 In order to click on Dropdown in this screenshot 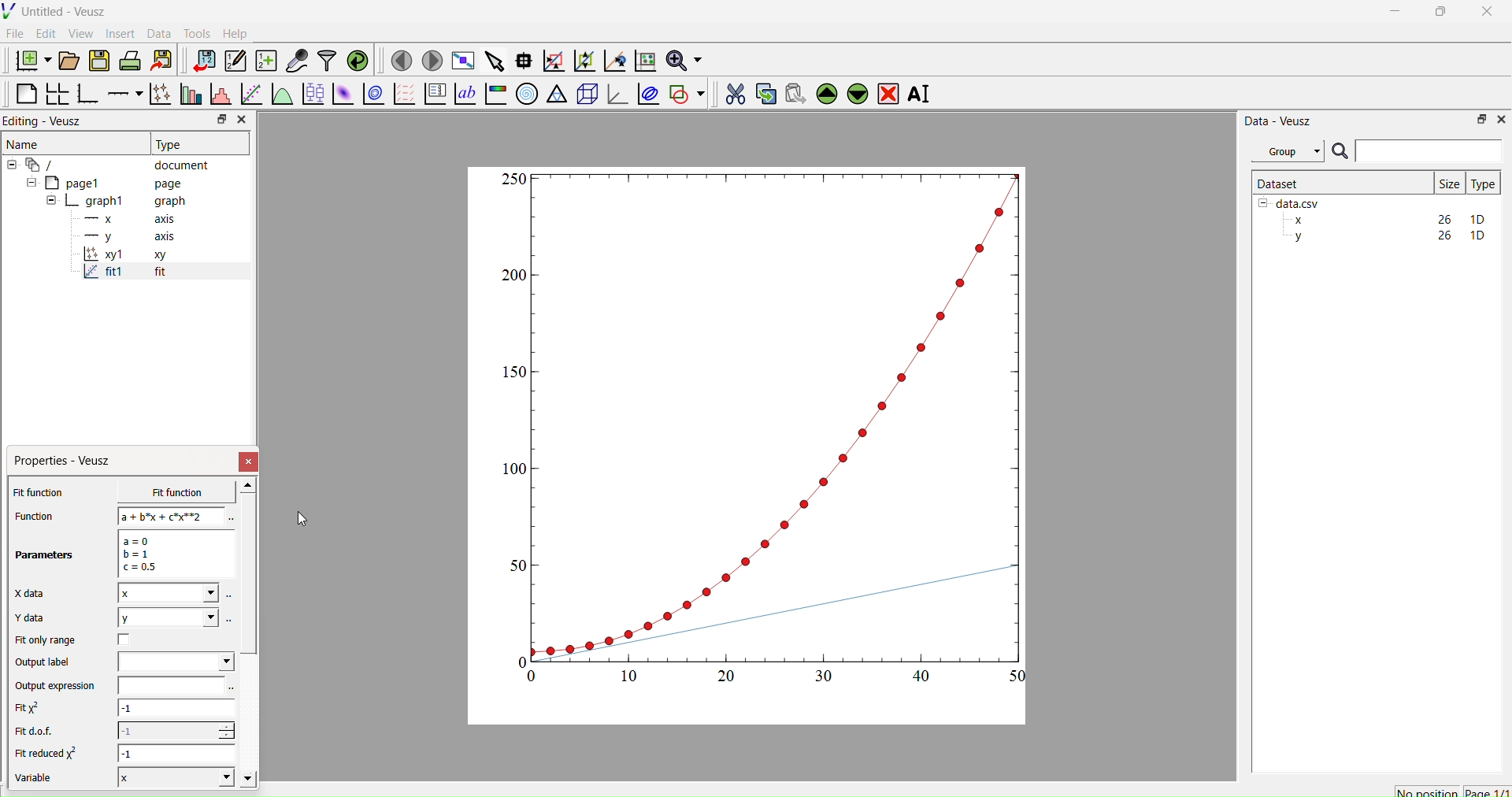, I will do `click(176, 662)`.